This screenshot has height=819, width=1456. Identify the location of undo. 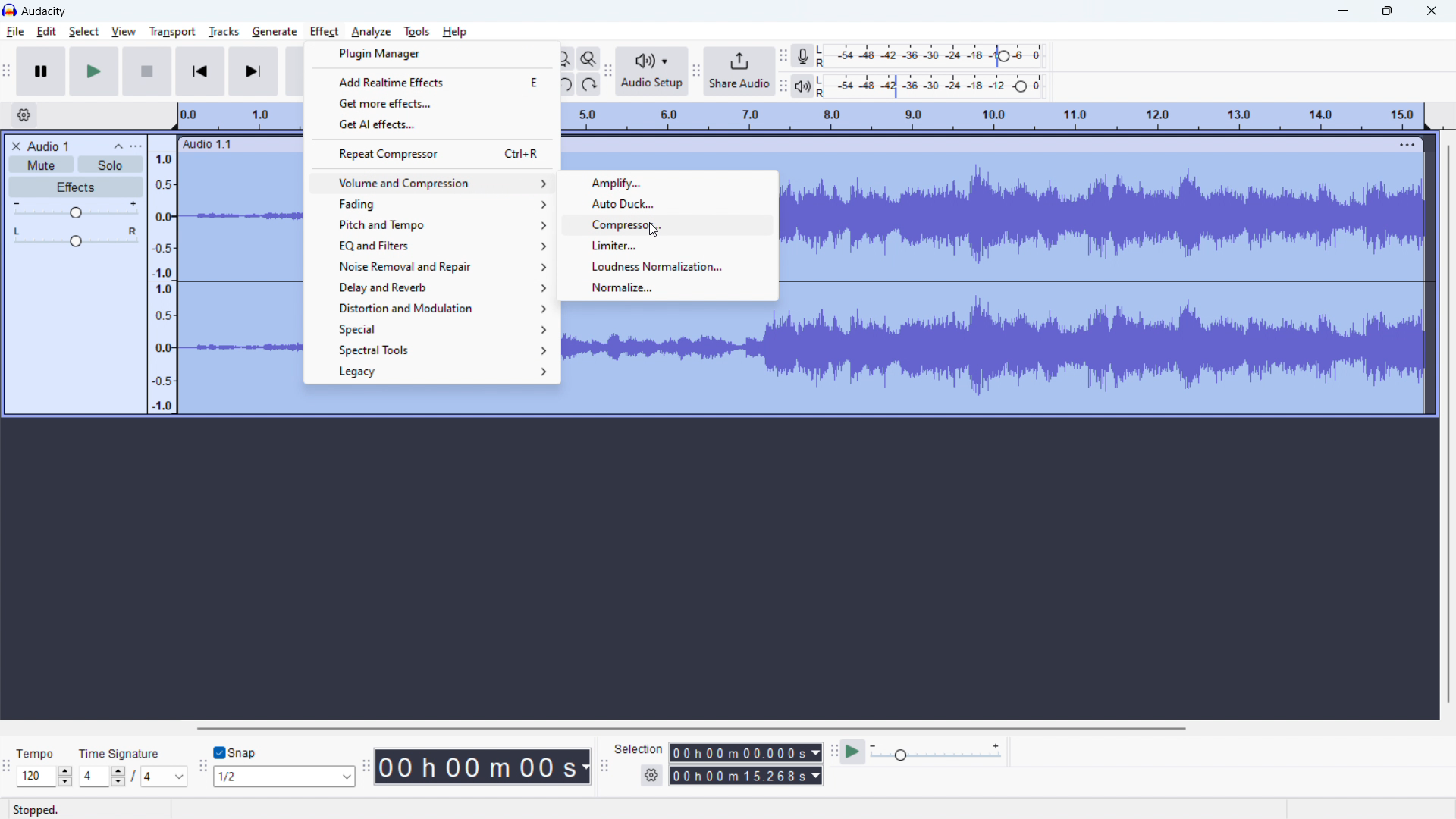
(566, 84).